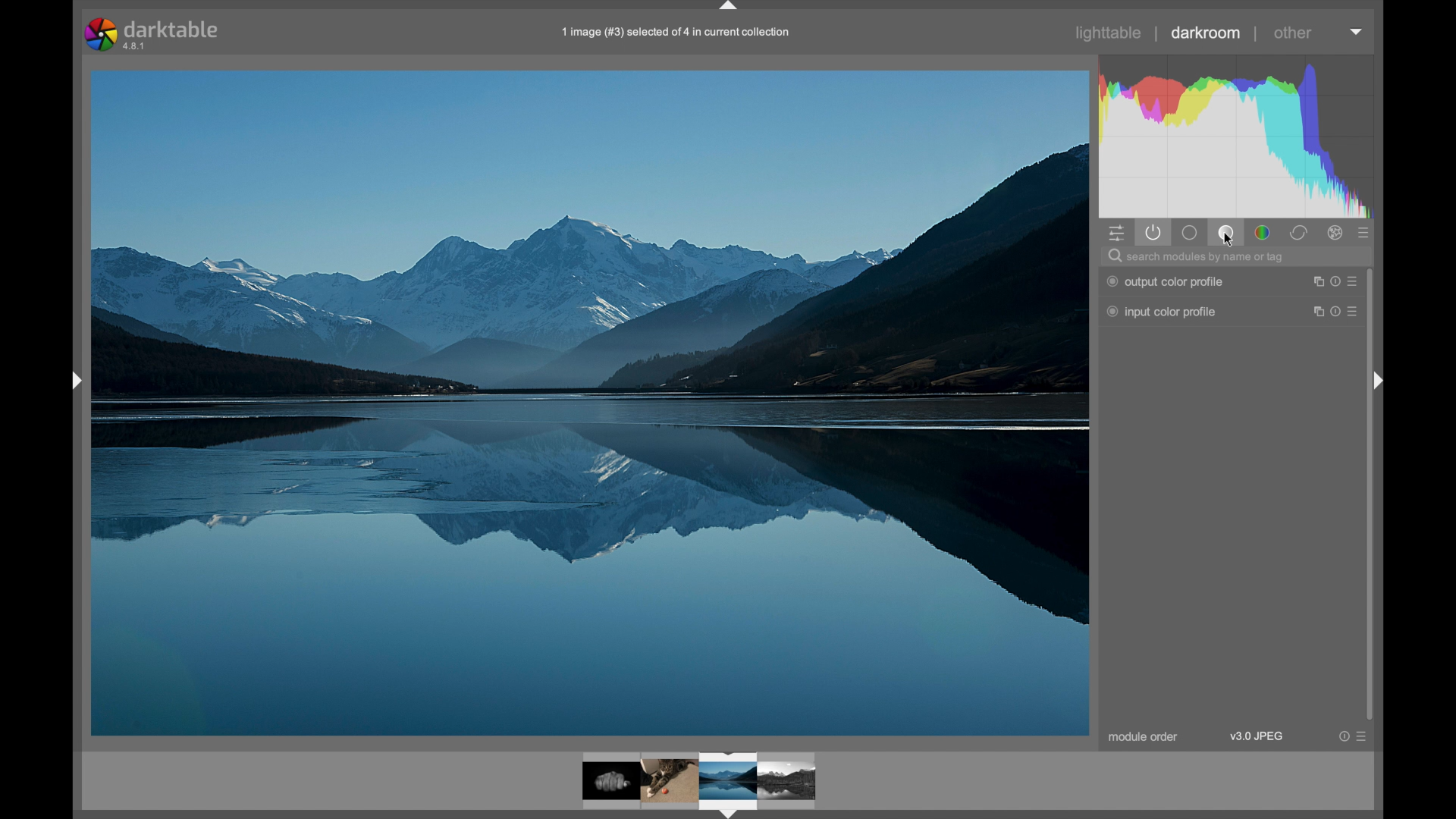 This screenshot has height=819, width=1456. Describe the element at coordinates (586, 403) in the screenshot. I see `photo` at that location.